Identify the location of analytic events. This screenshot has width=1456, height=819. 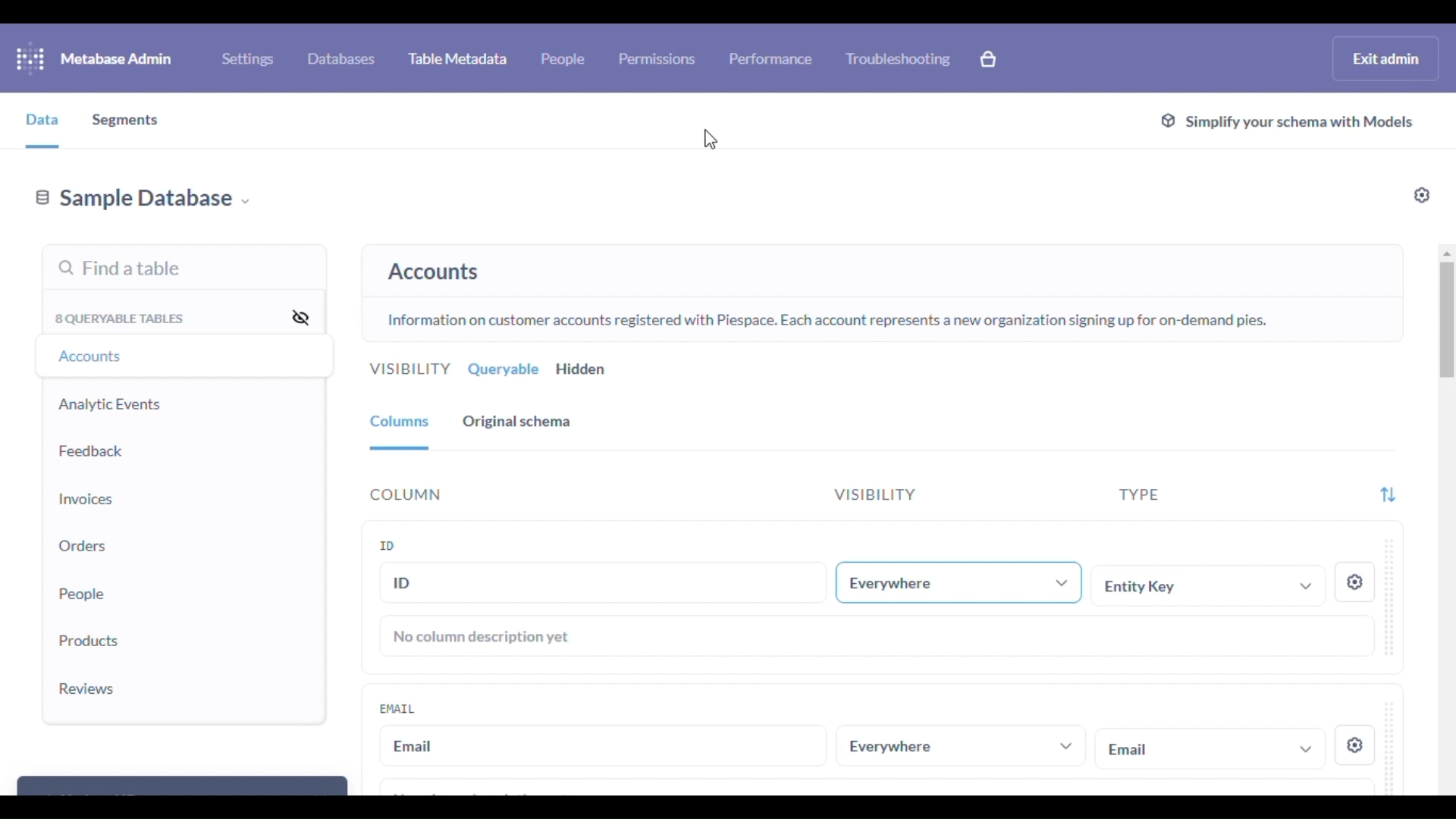
(110, 404).